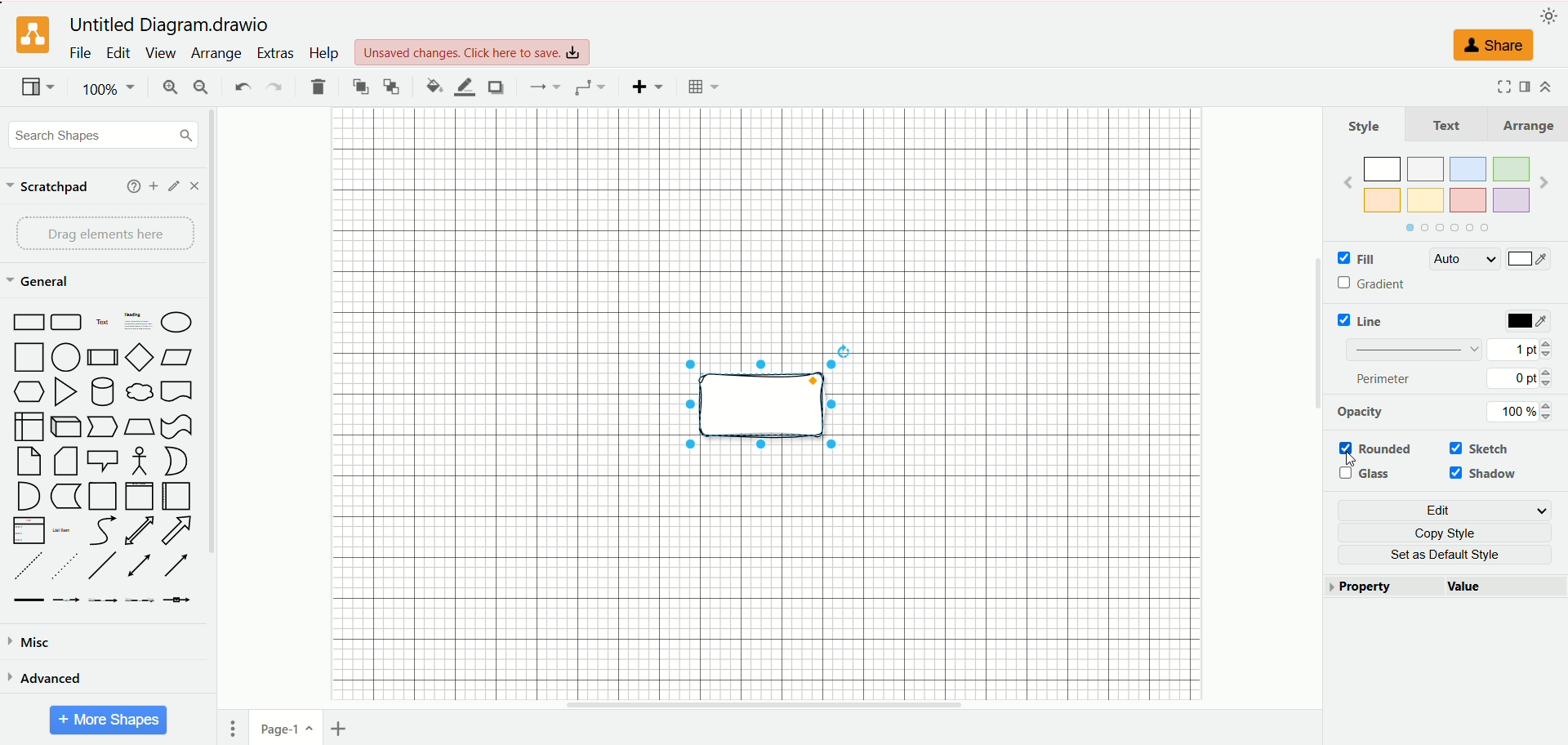 The image size is (1568, 745). What do you see at coordinates (648, 87) in the screenshot?
I see `insert` at bounding box center [648, 87].